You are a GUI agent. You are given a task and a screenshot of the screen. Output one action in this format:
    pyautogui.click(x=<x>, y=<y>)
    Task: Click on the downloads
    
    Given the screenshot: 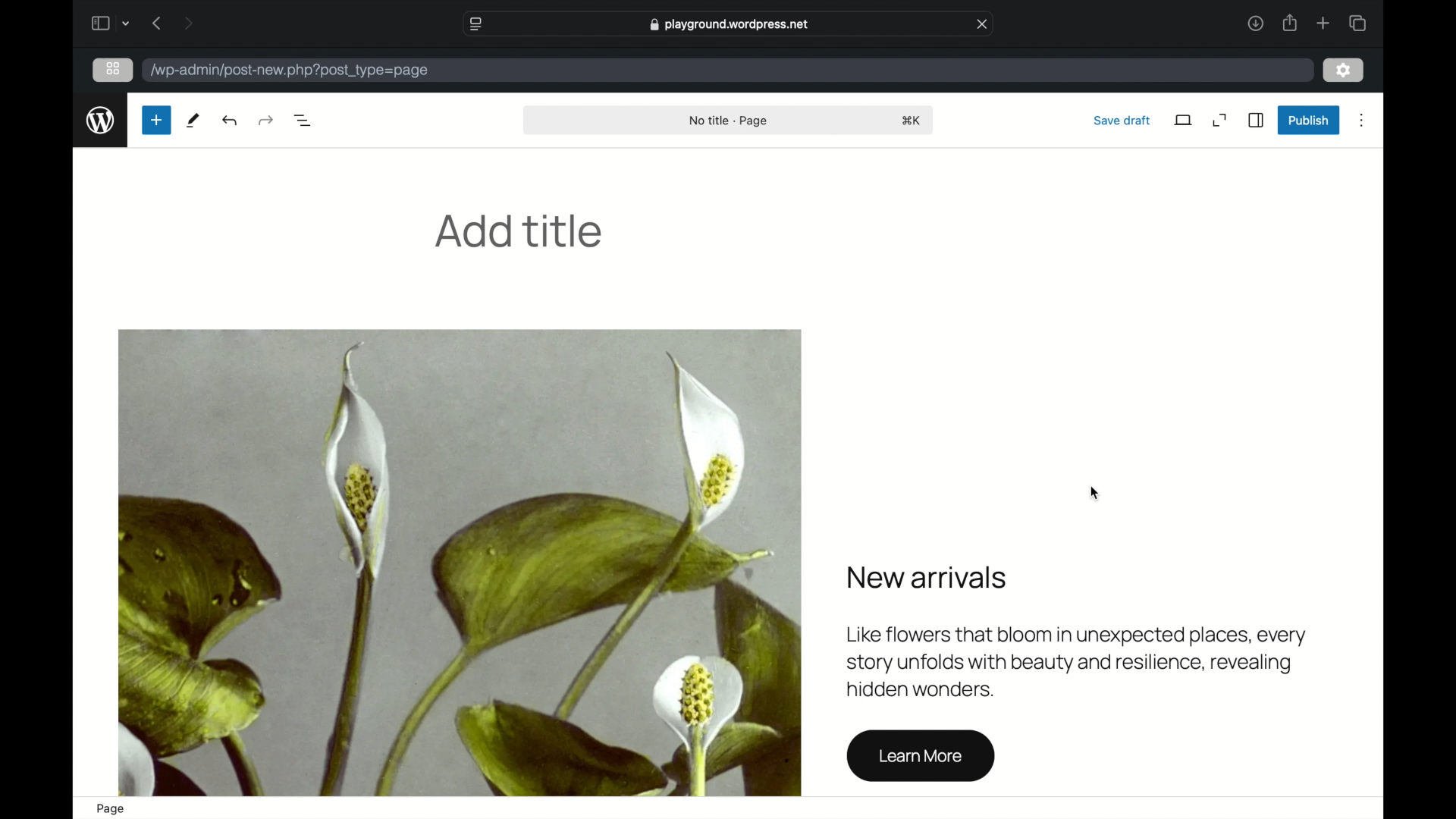 What is the action you would take?
    pyautogui.click(x=1254, y=23)
    